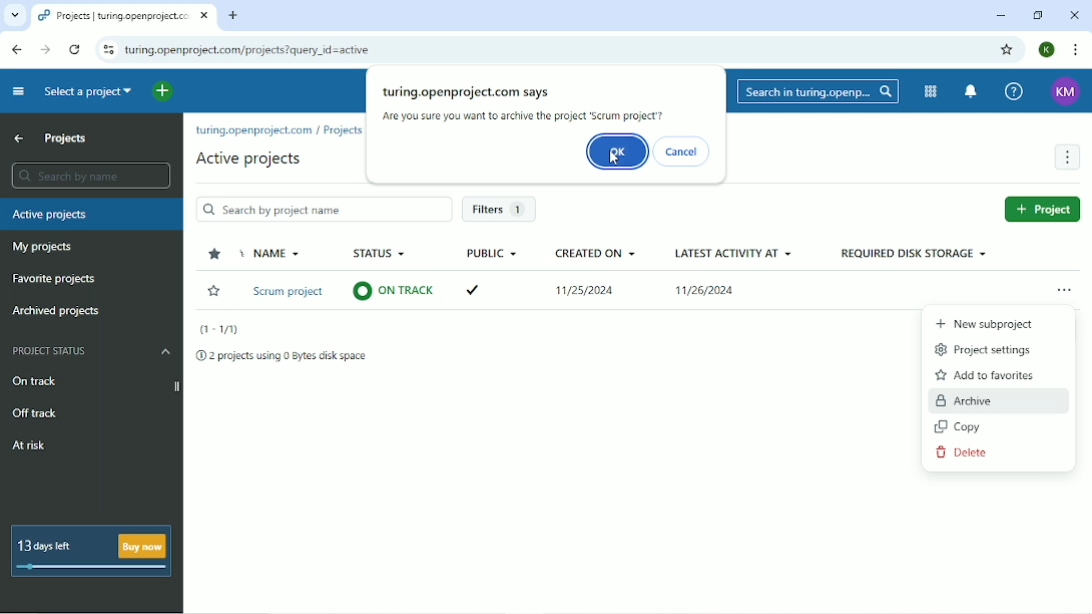 The height and width of the screenshot is (614, 1092). What do you see at coordinates (964, 451) in the screenshot?
I see `Delete` at bounding box center [964, 451].